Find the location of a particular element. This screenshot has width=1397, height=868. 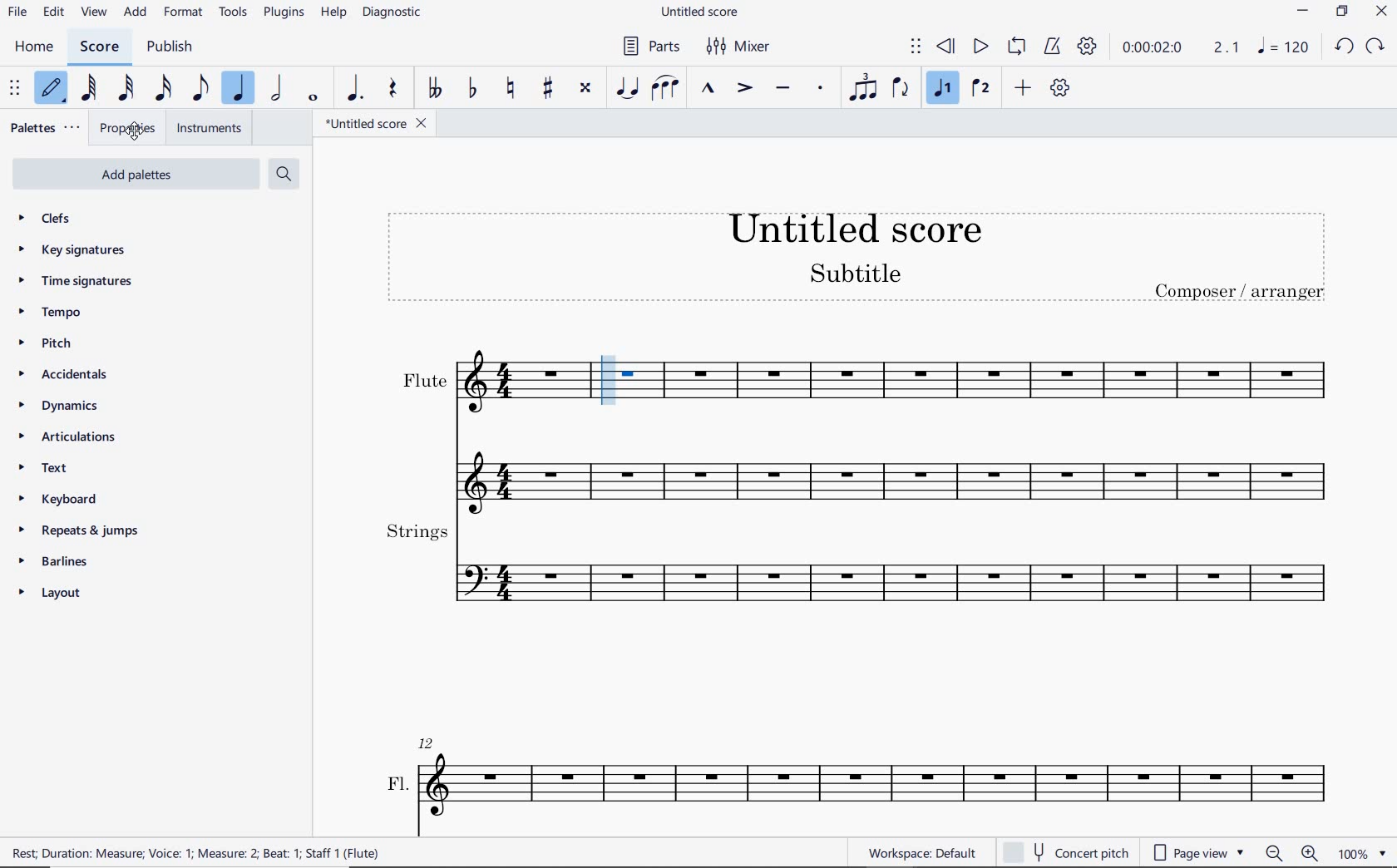

file is located at coordinates (16, 12).